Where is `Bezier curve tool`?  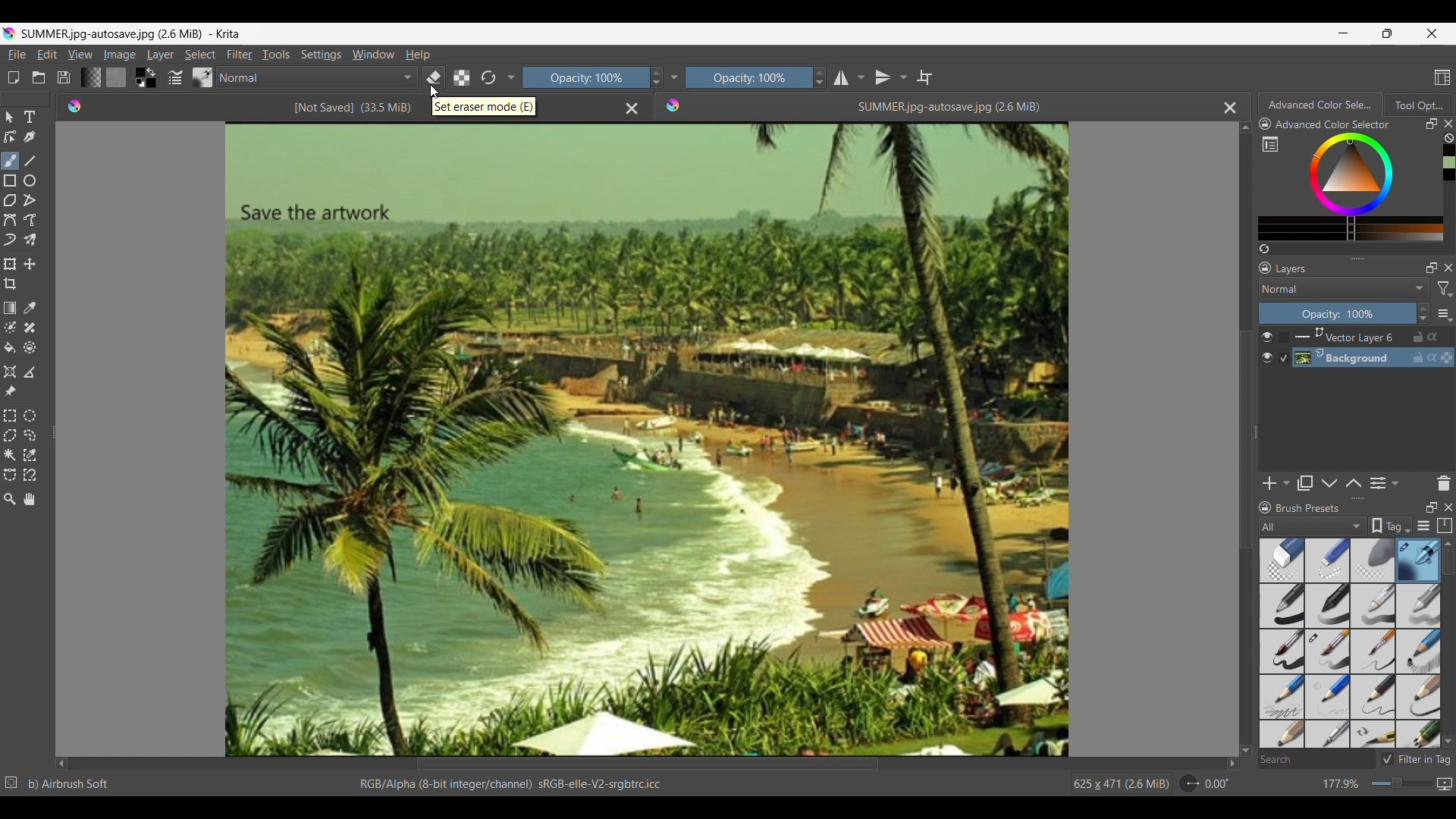 Bezier curve tool is located at coordinates (10, 220).